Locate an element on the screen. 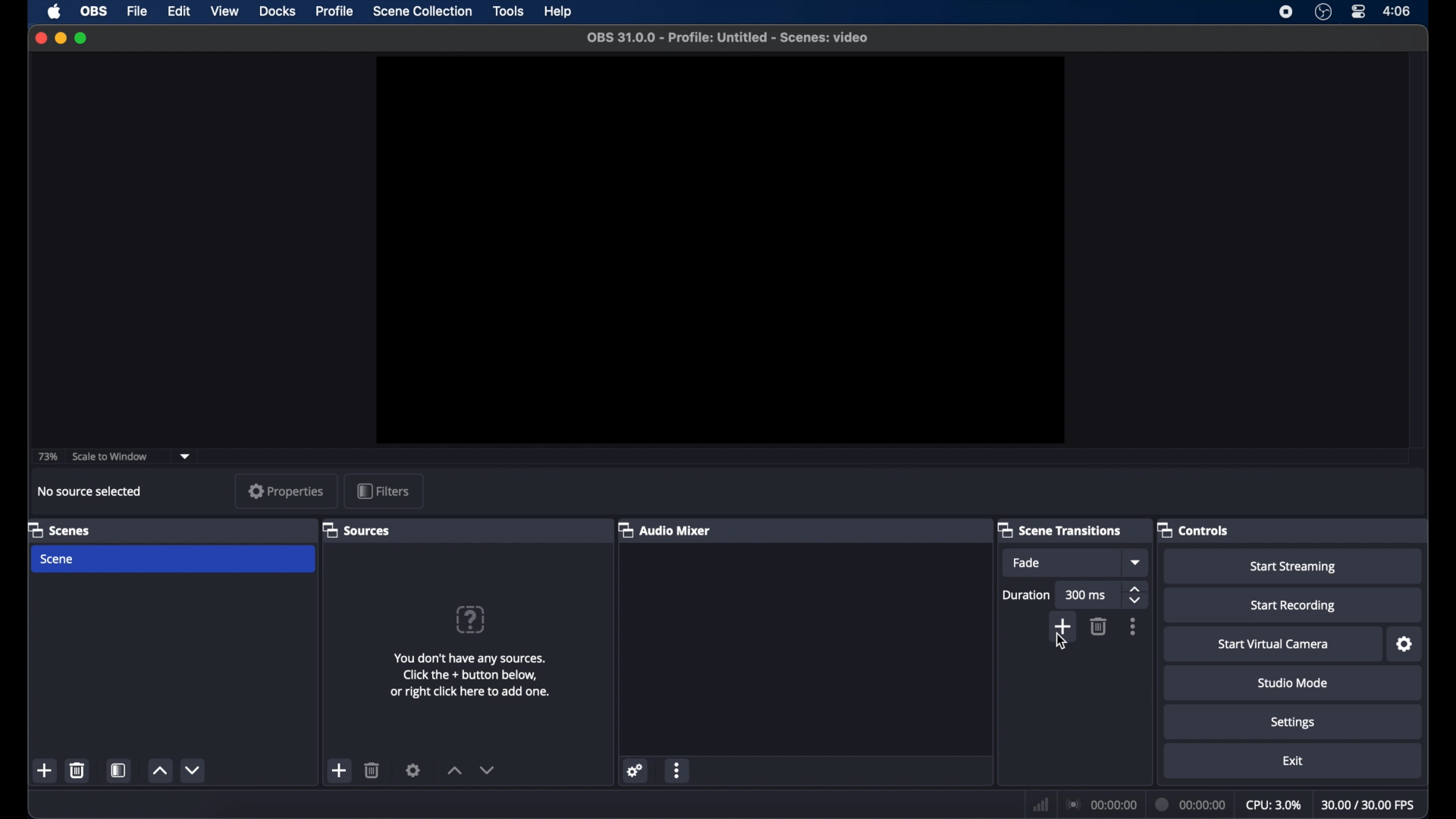 The height and width of the screenshot is (819, 1456). start streaming is located at coordinates (1293, 567).